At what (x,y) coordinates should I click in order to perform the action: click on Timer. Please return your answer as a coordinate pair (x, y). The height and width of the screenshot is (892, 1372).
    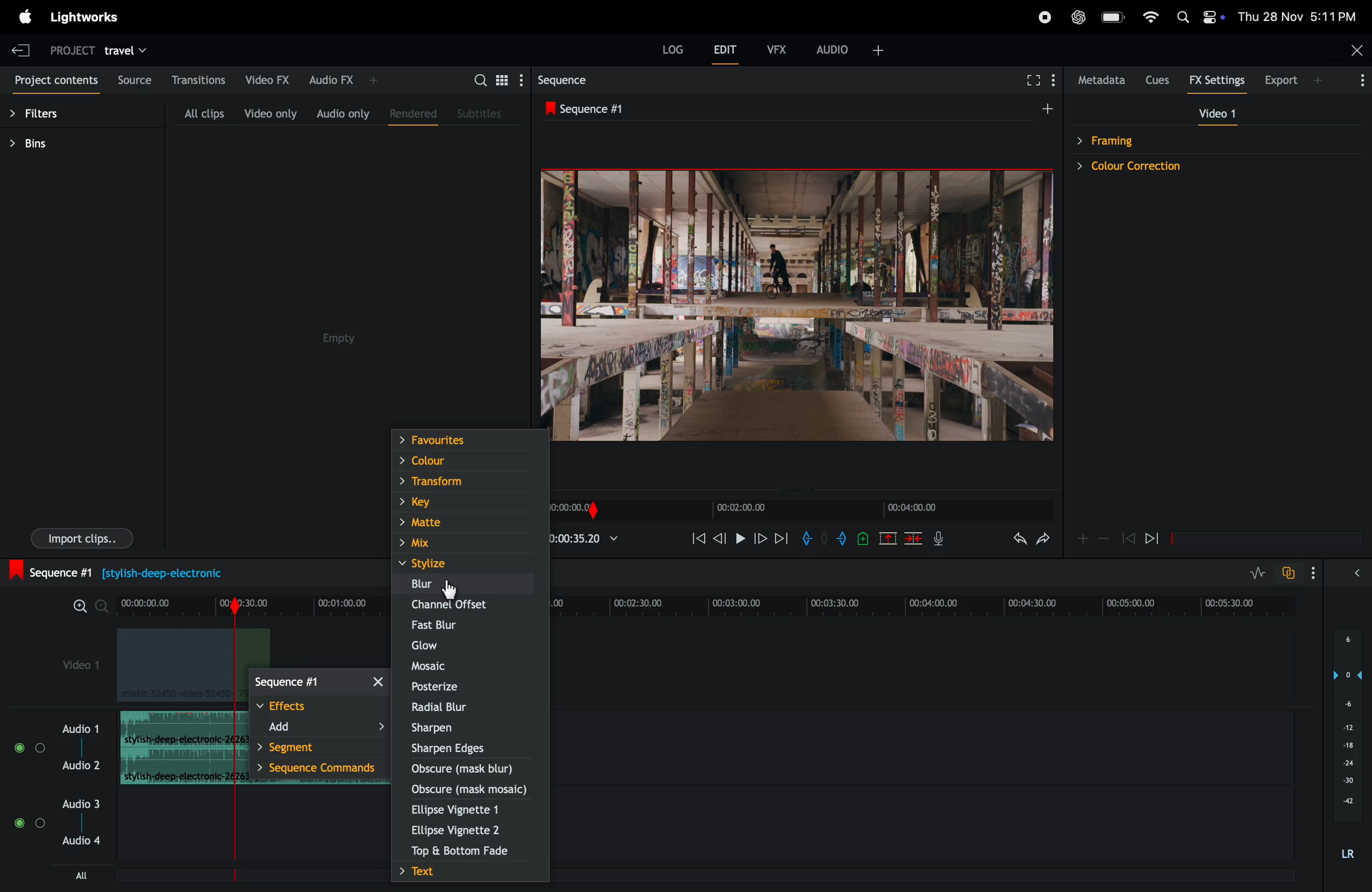
    Looking at the image, I should click on (248, 604).